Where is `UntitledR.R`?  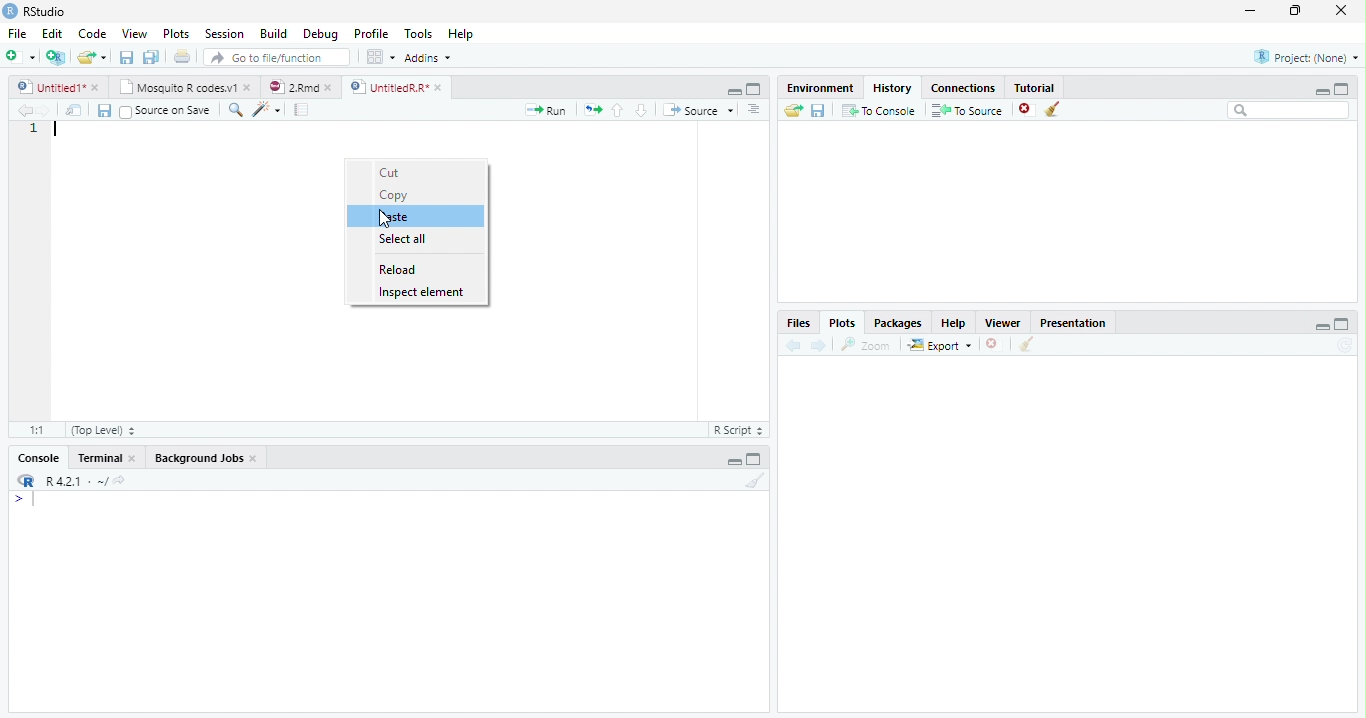 UntitledR.R is located at coordinates (403, 86).